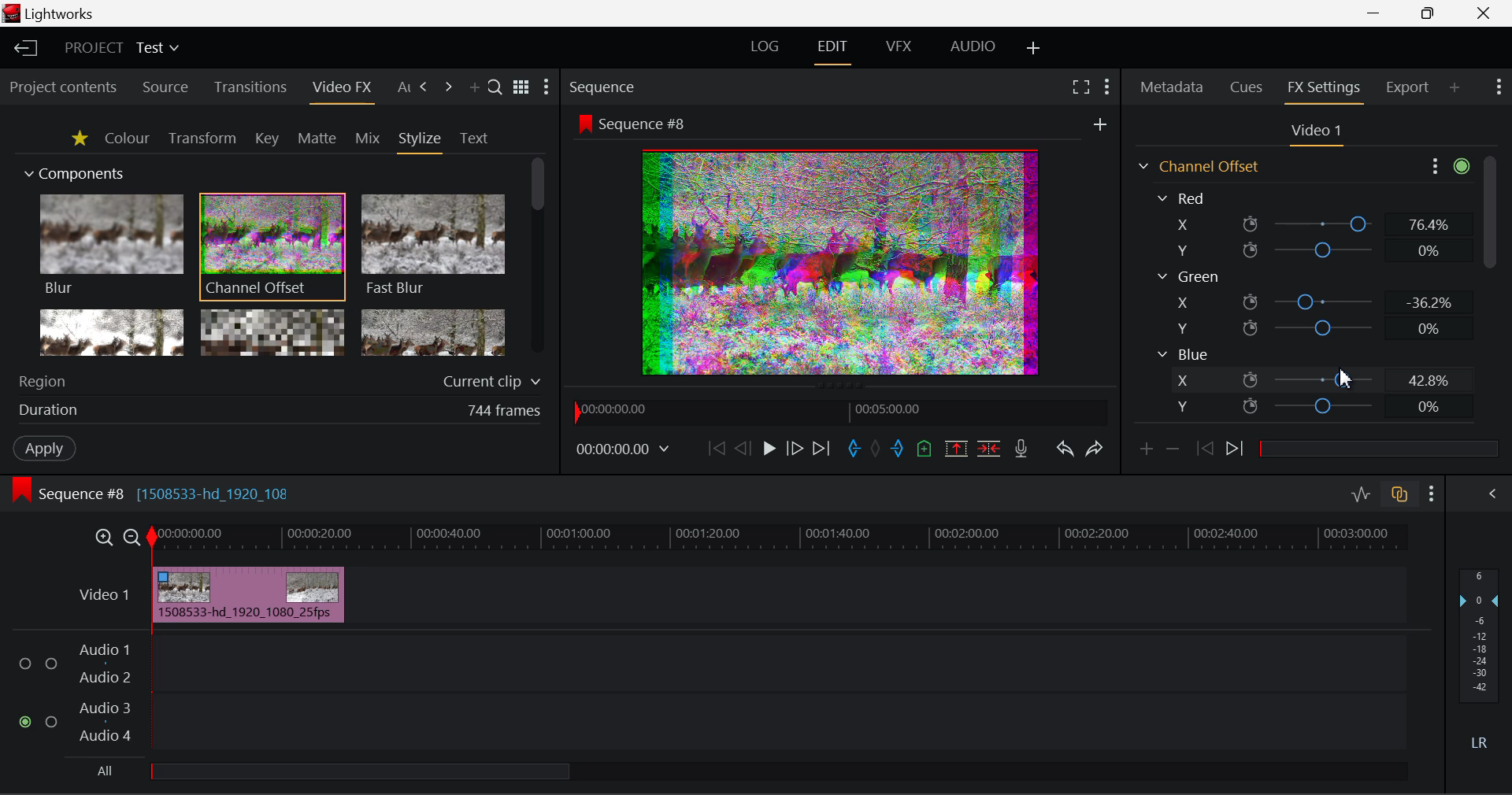 The width and height of the screenshot is (1512, 795). What do you see at coordinates (959, 449) in the screenshot?
I see `Remove marked Section` at bounding box center [959, 449].